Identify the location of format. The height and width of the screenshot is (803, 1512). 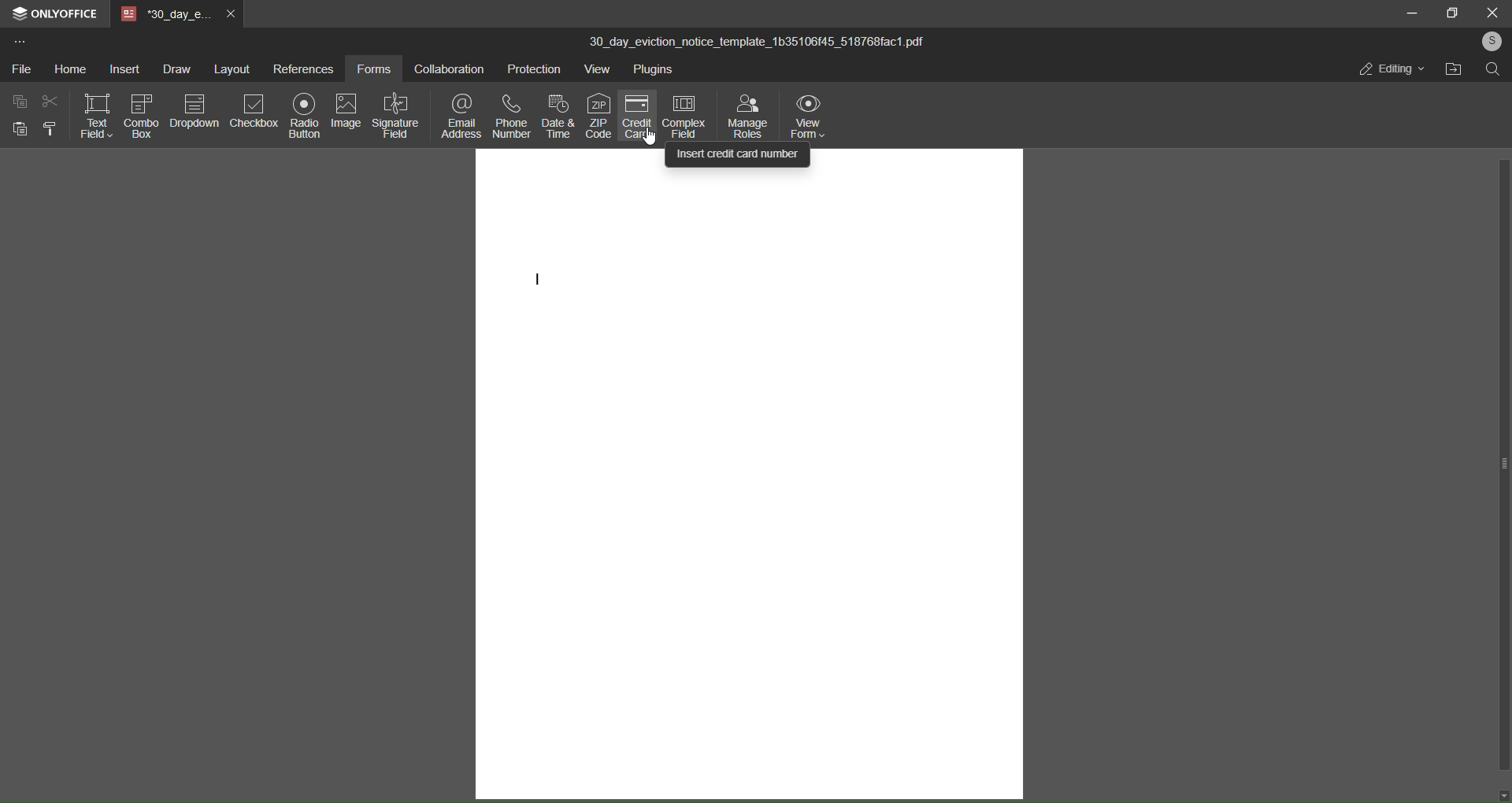
(50, 130).